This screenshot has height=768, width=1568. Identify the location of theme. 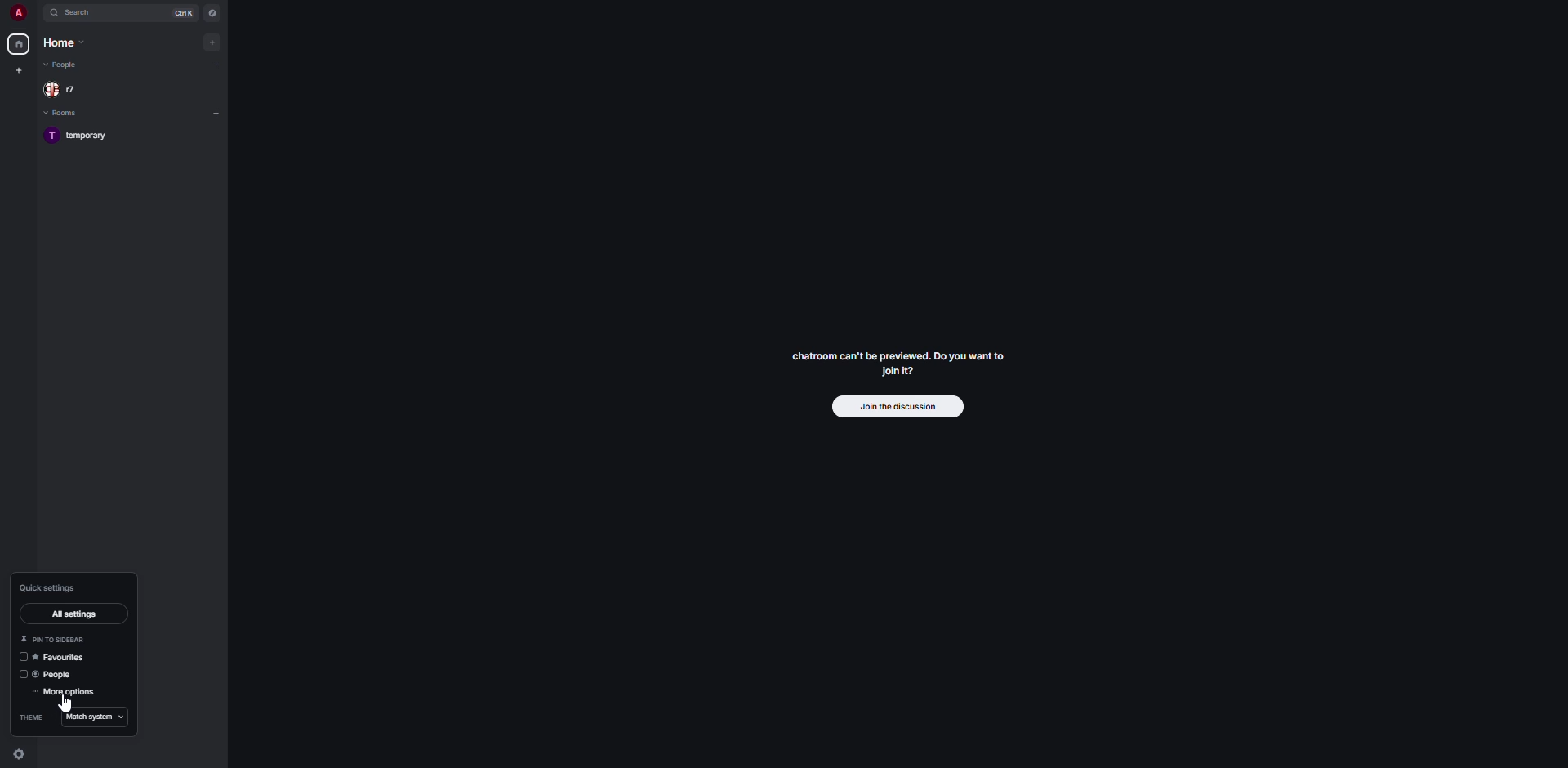
(29, 717).